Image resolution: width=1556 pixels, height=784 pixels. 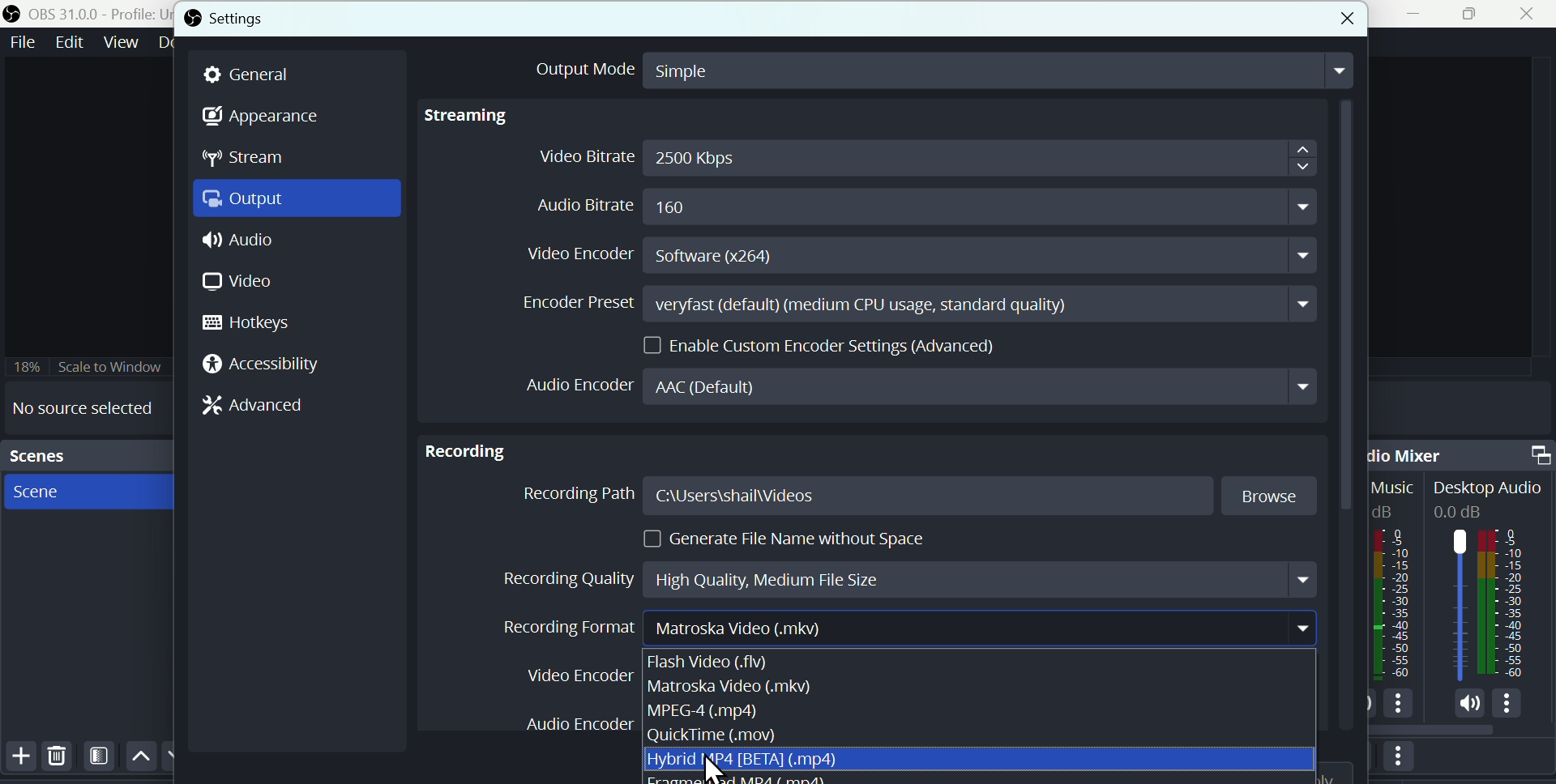 I want to click on Recording format, so click(x=908, y=628).